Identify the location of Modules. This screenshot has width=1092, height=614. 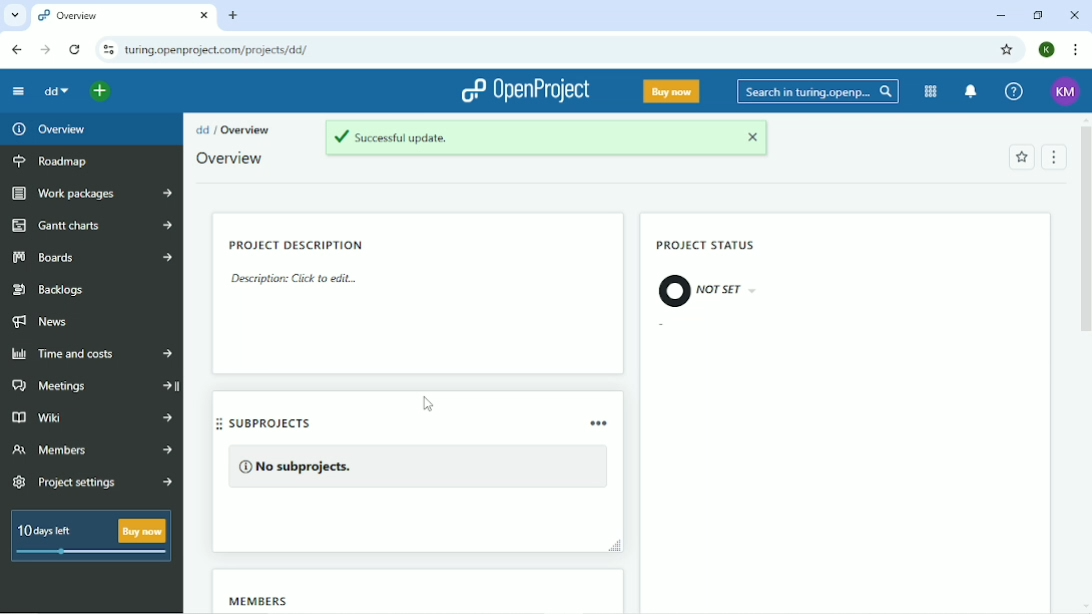
(930, 91).